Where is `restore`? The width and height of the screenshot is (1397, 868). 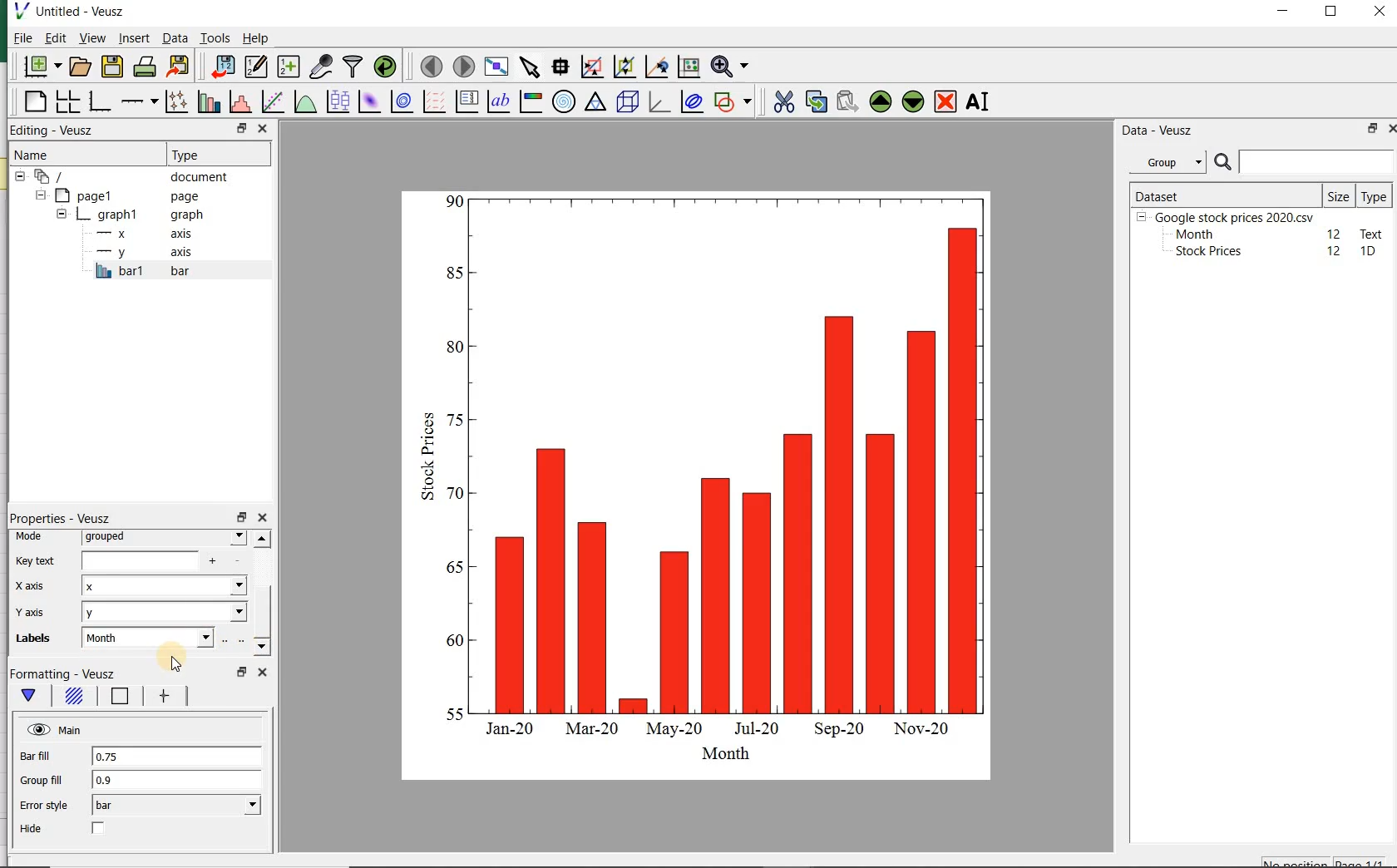 restore is located at coordinates (240, 672).